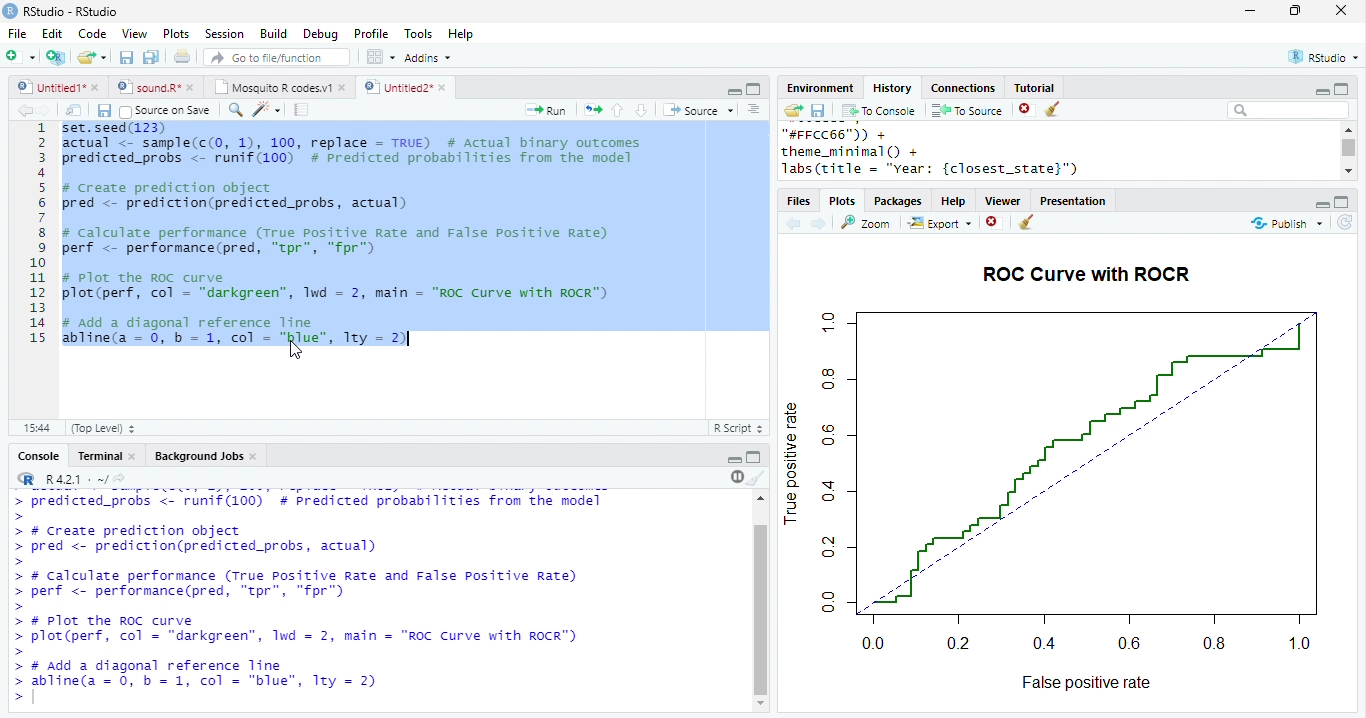 The image size is (1366, 718). What do you see at coordinates (39, 235) in the screenshot?
I see `line numbering` at bounding box center [39, 235].